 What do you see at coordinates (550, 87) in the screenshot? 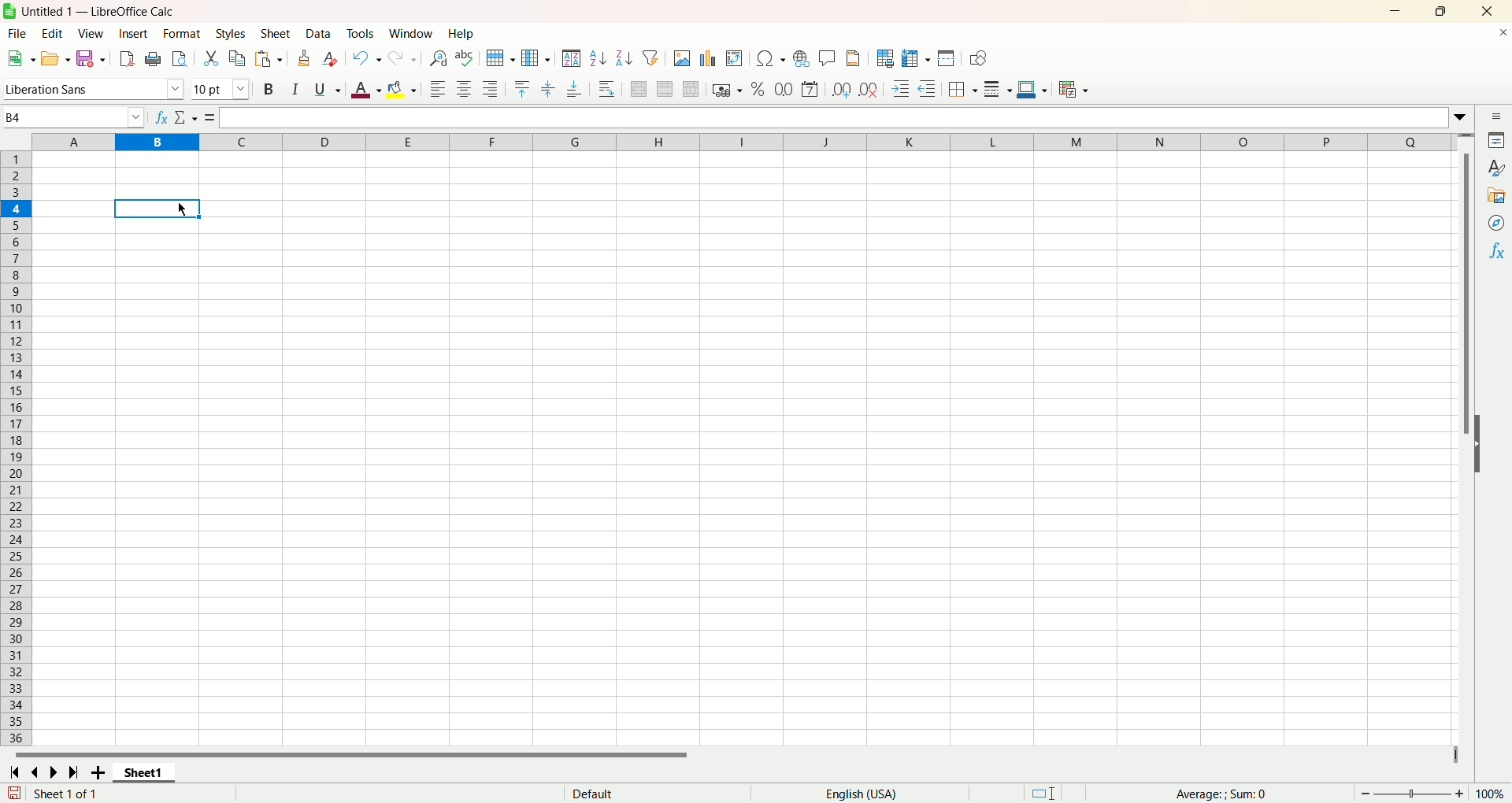
I see `center vertically` at bounding box center [550, 87].